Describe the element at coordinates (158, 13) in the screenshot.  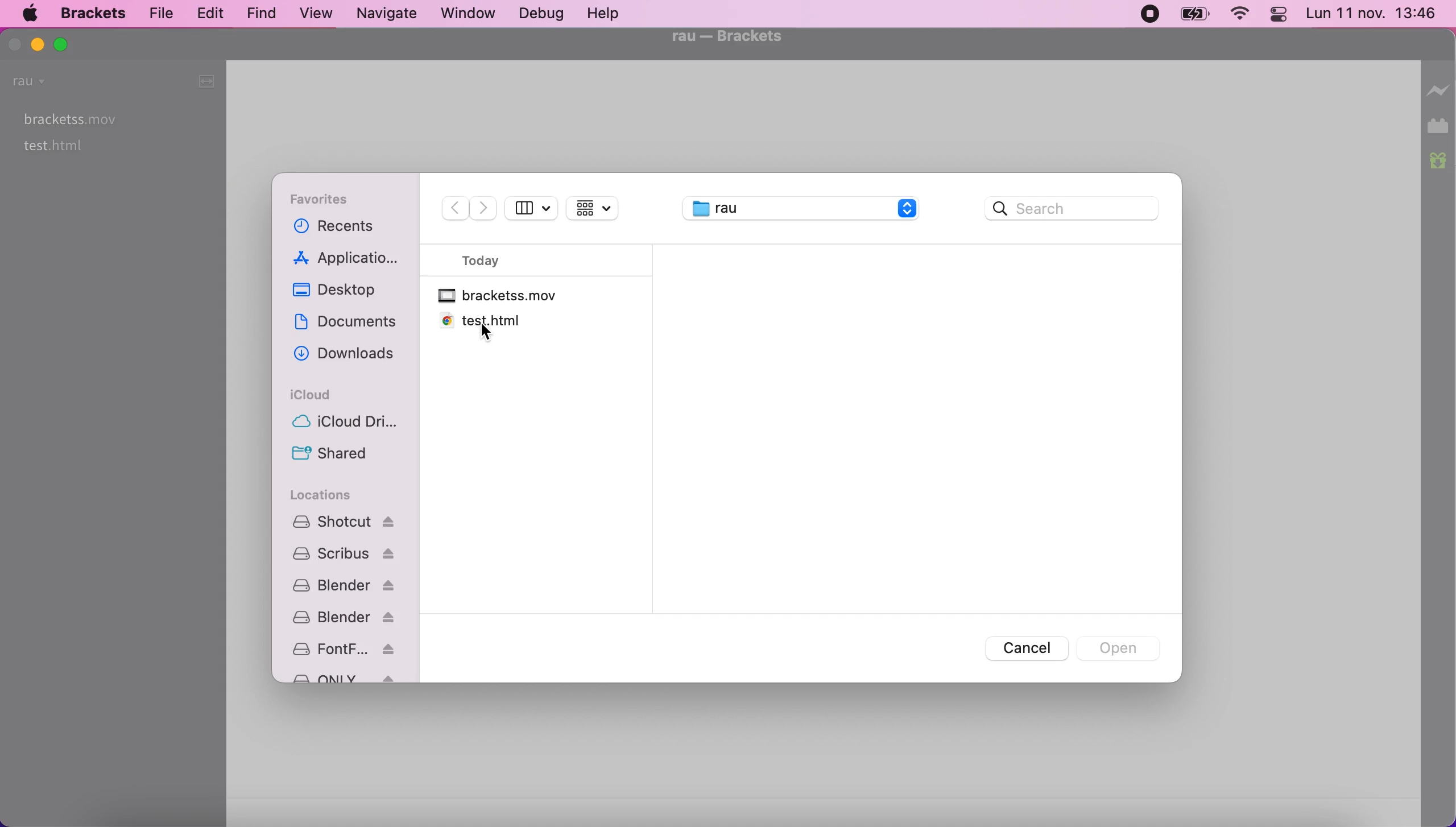
I see `file` at that location.